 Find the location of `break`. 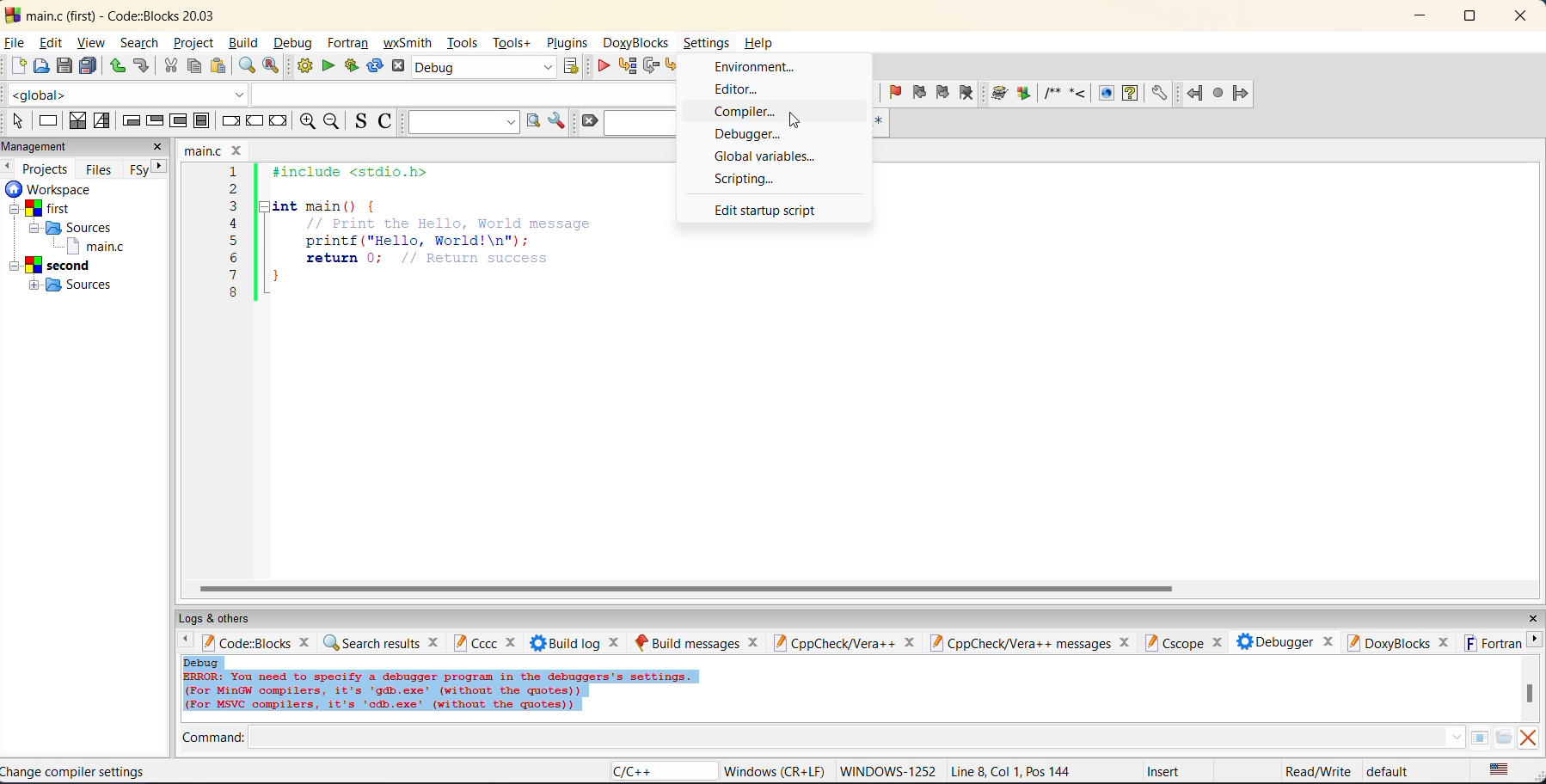

break is located at coordinates (229, 119).